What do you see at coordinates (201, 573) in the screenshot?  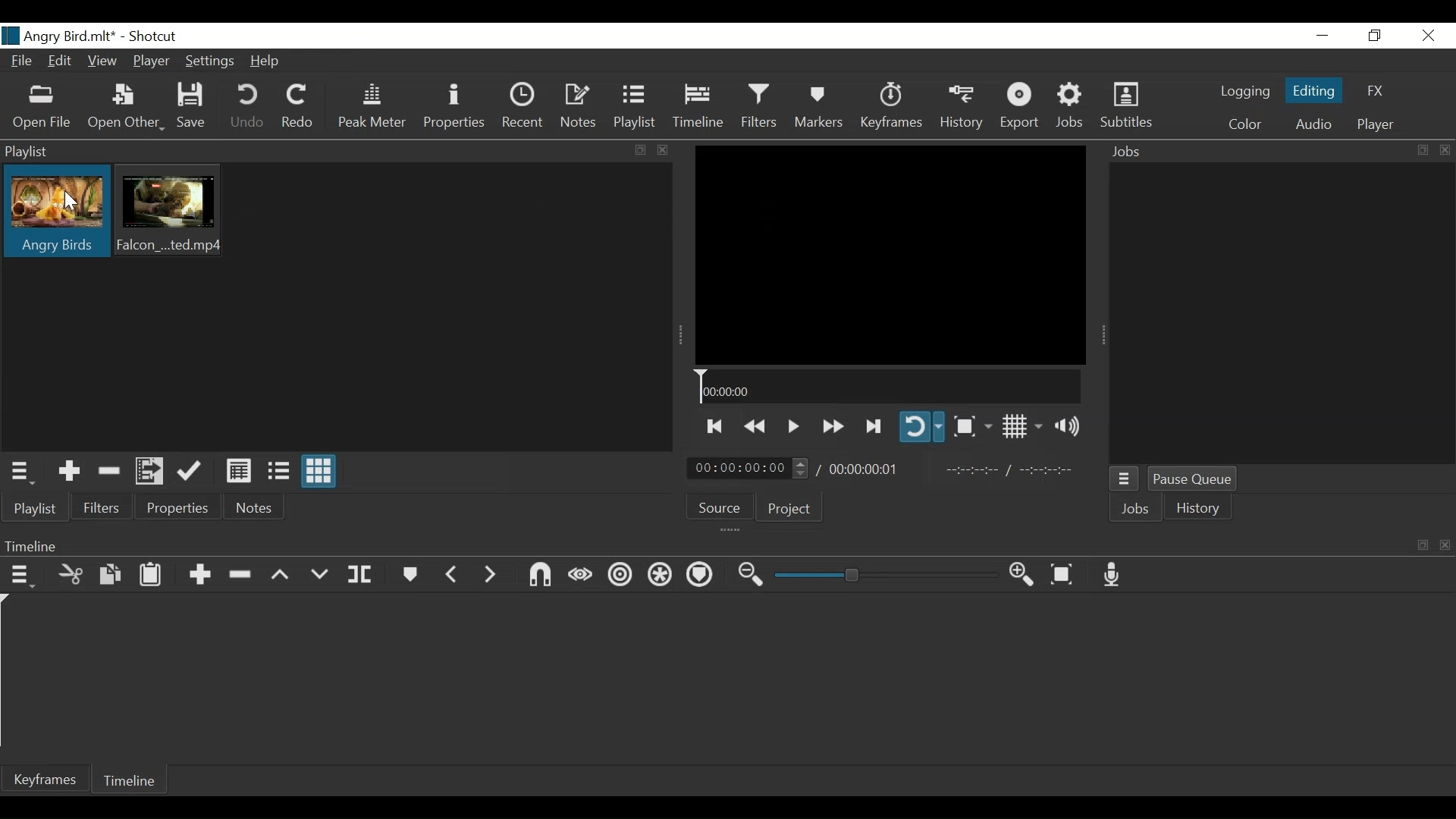 I see `Append` at bounding box center [201, 573].